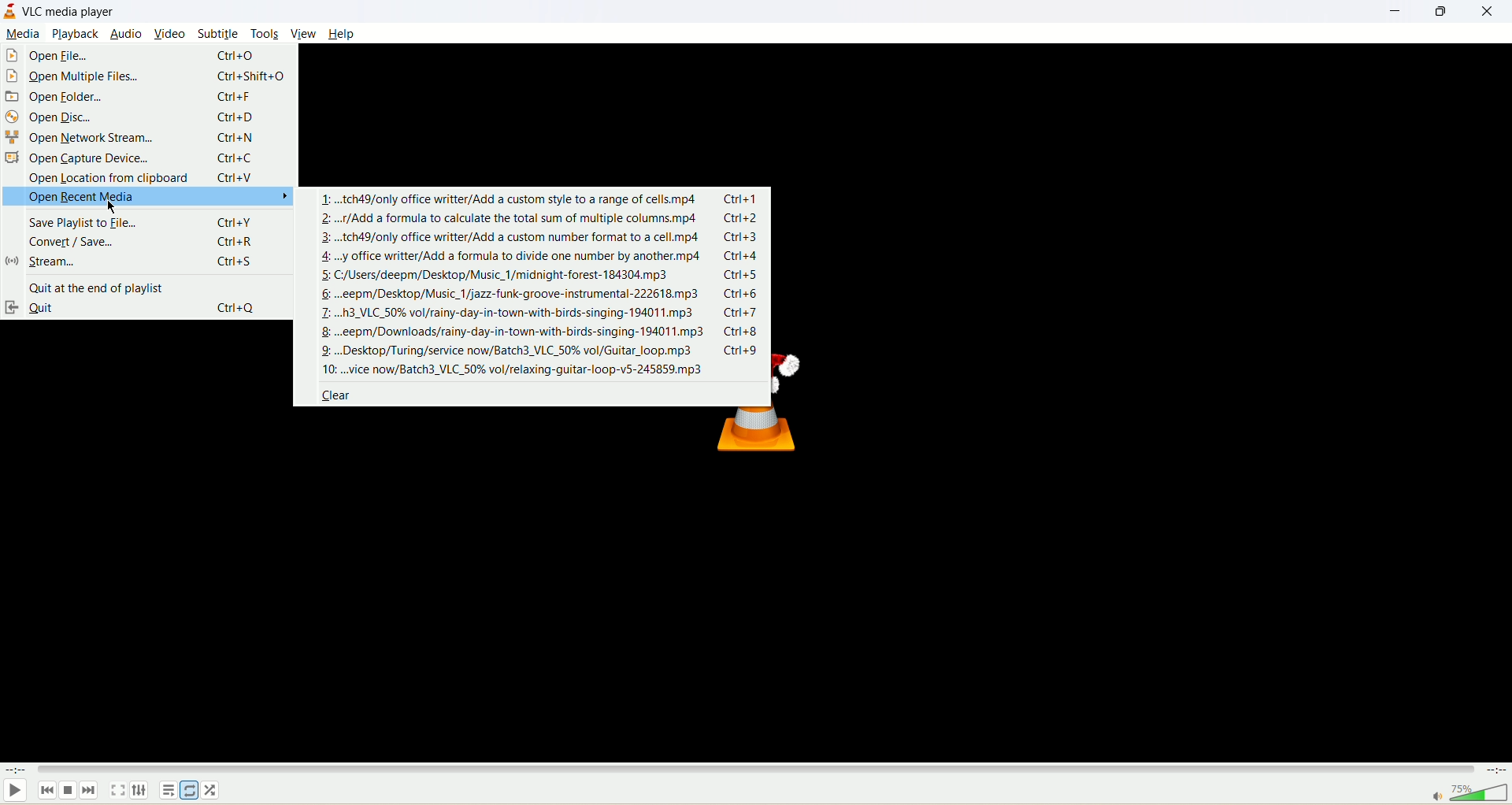 The image size is (1512, 805). Describe the element at coordinates (13, 793) in the screenshot. I see `play` at that location.